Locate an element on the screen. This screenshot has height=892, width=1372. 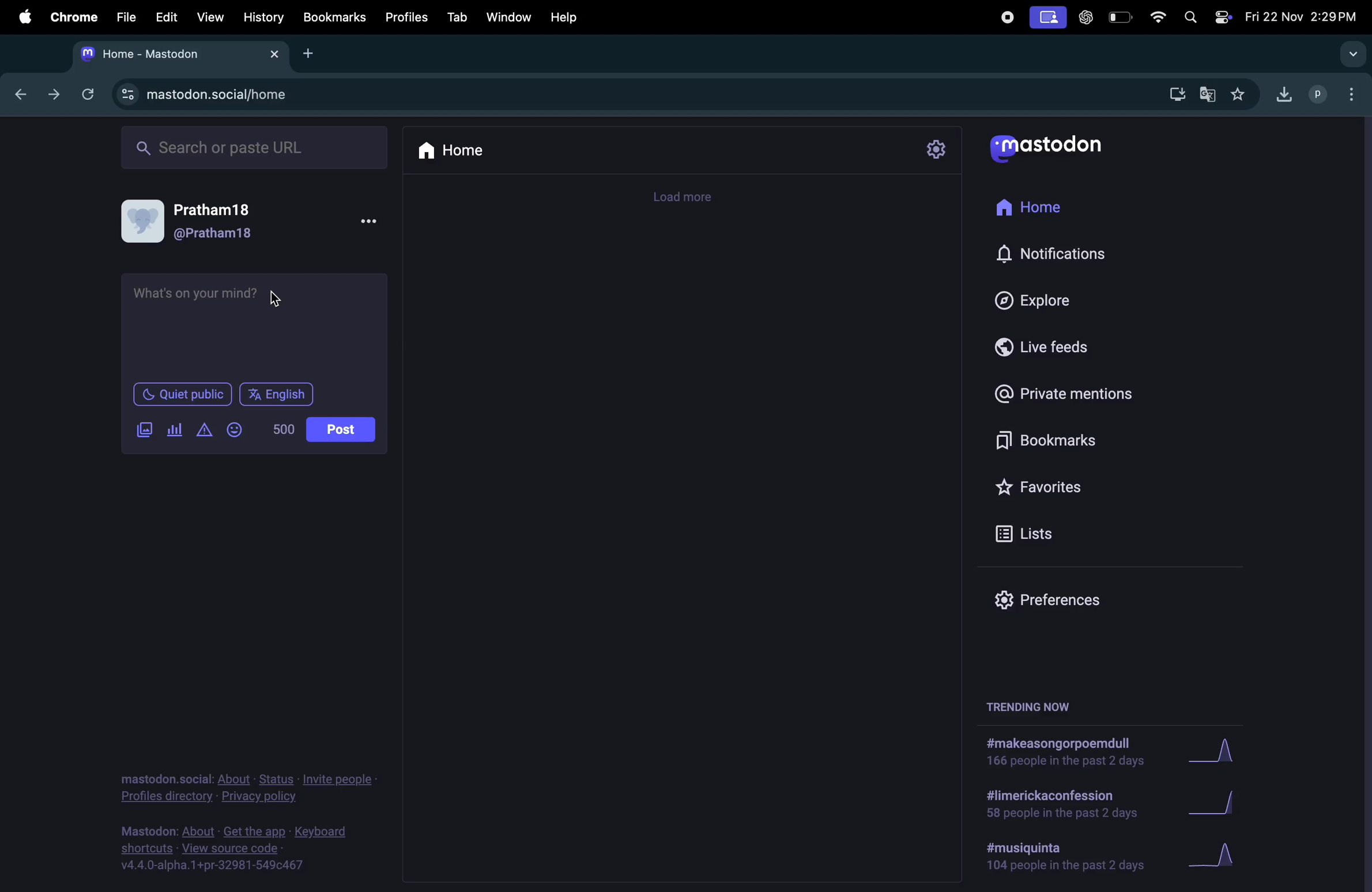
source codes is located at coordinates (243, 852).